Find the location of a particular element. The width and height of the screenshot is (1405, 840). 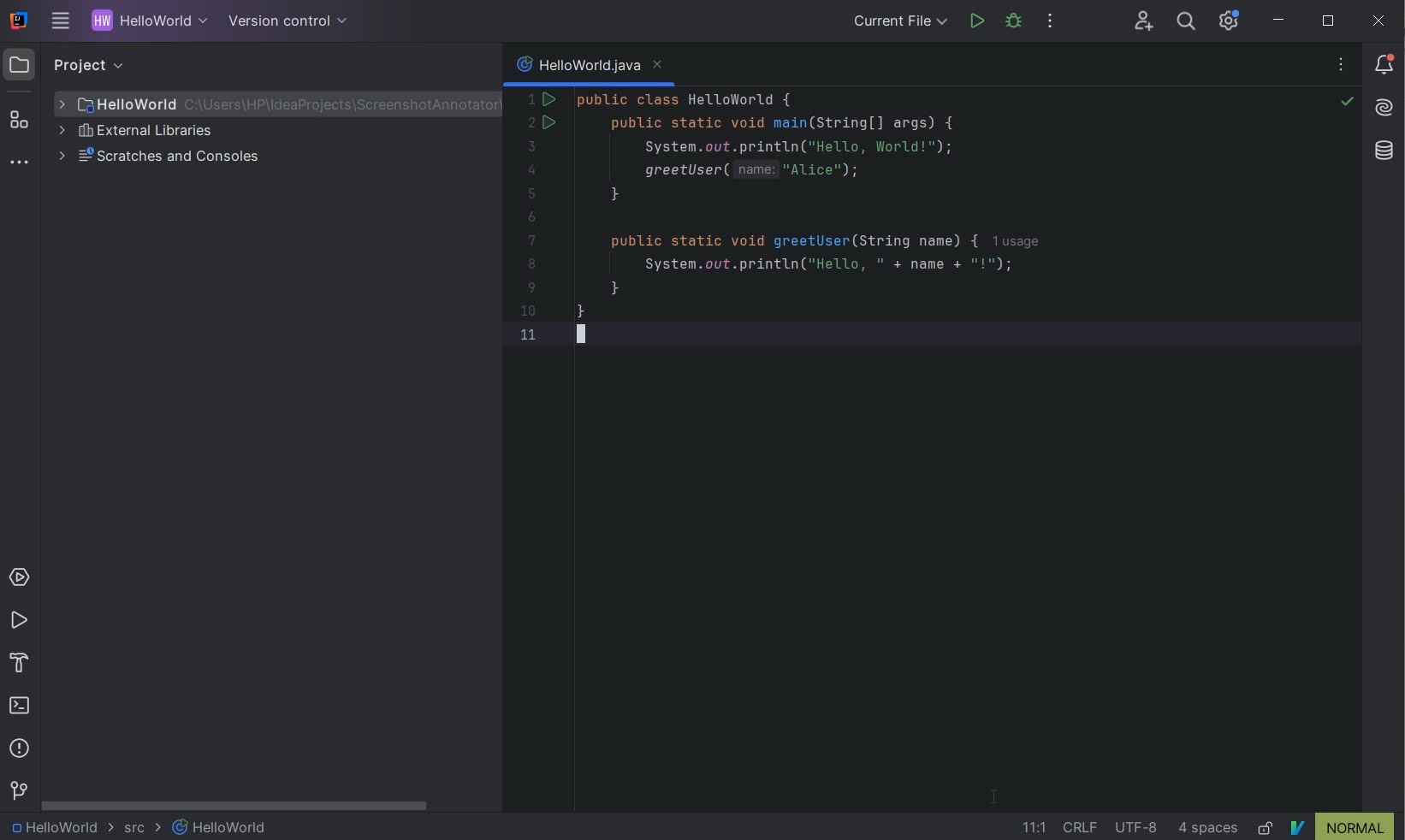

FILE ENCODING is located at coordinates (1140, 827).